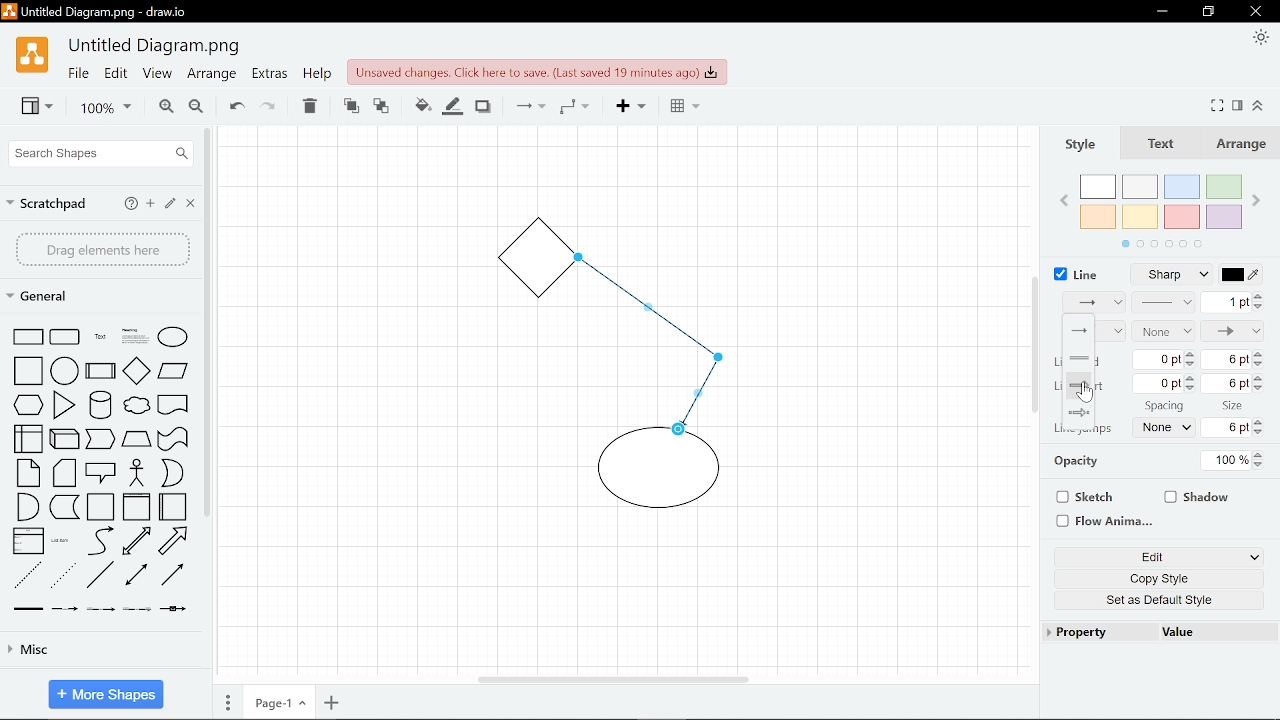  What do you see at coordinates (173, 373) in the screenshot?
I see `shape` at bounding box center [173, 373].